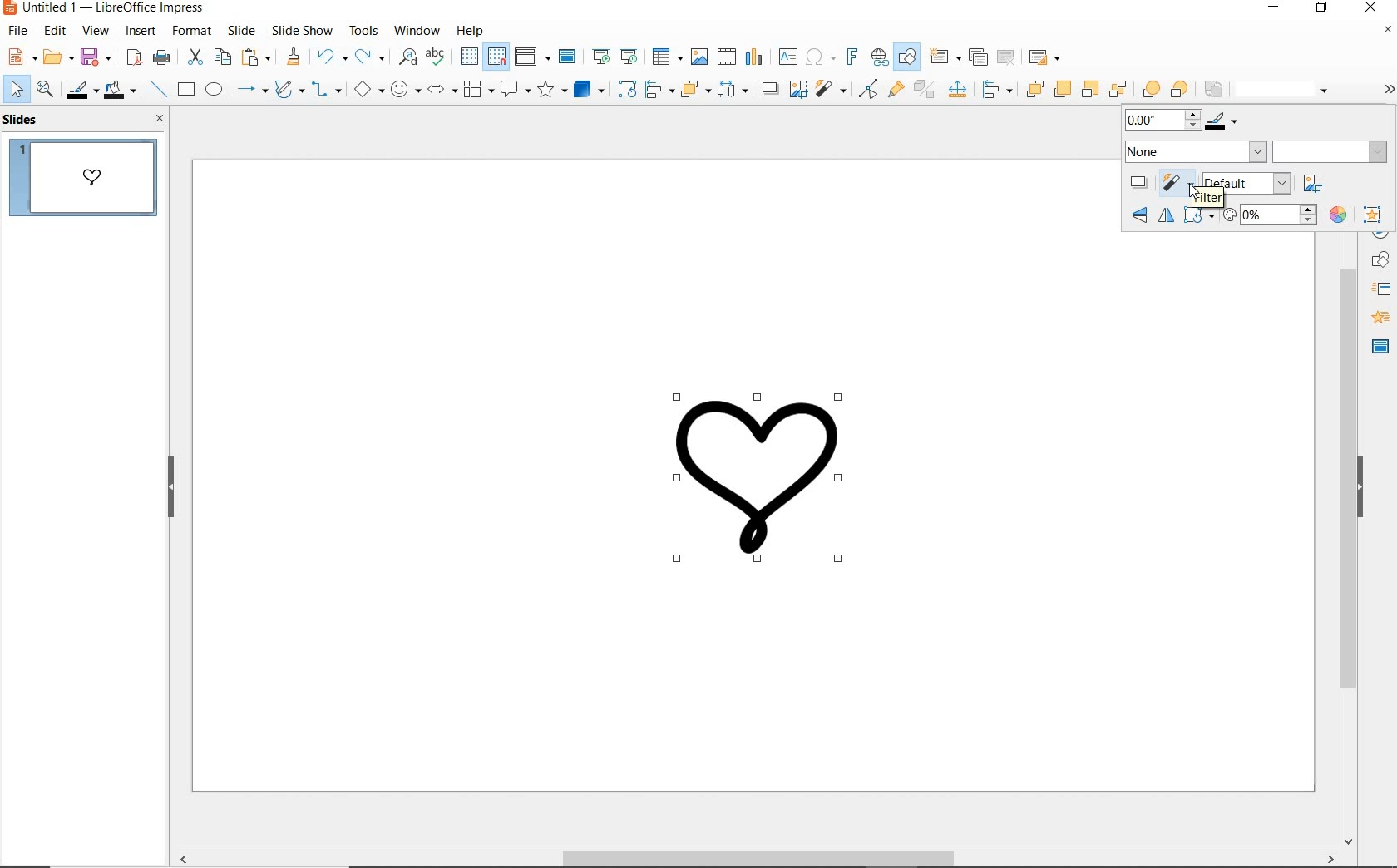 Image resolution: width=1397 pixels, height=868 pixels. I want to click on curves & polygons, so click(289, 89).